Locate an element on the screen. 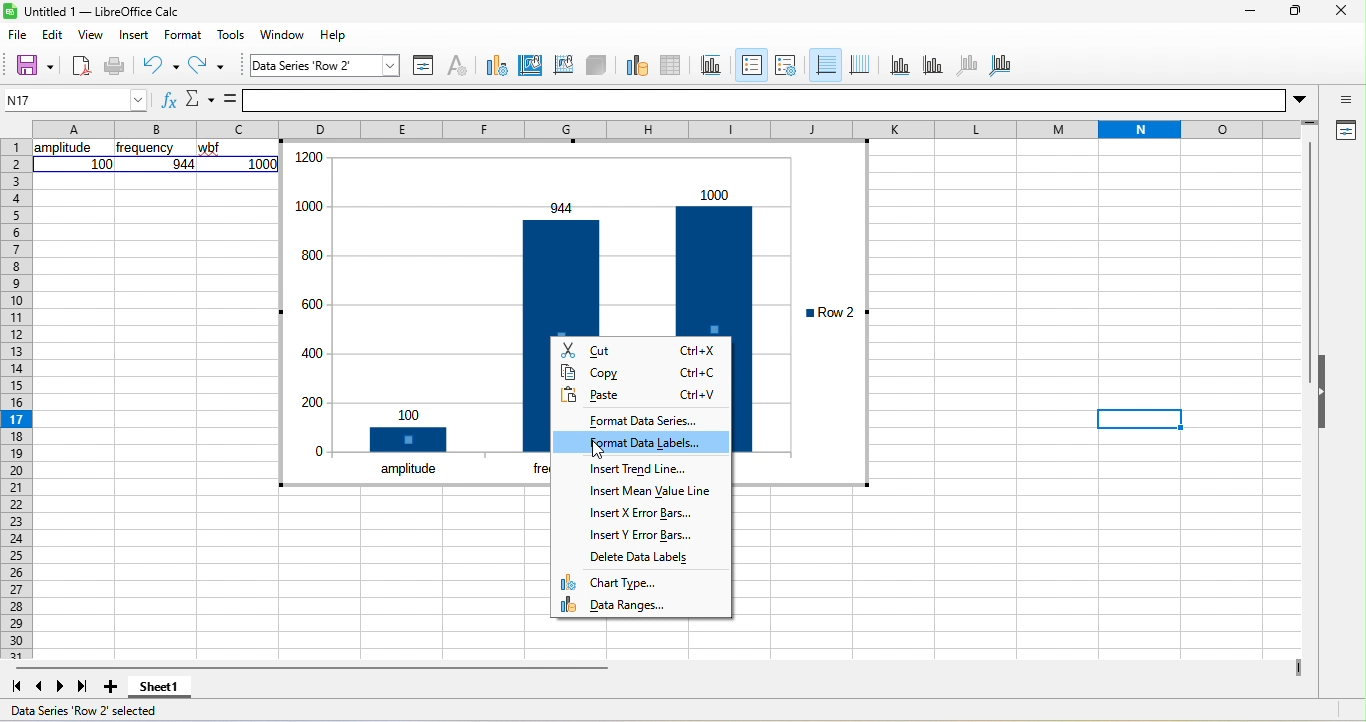  minimize is located at coordinates (1248, 10).